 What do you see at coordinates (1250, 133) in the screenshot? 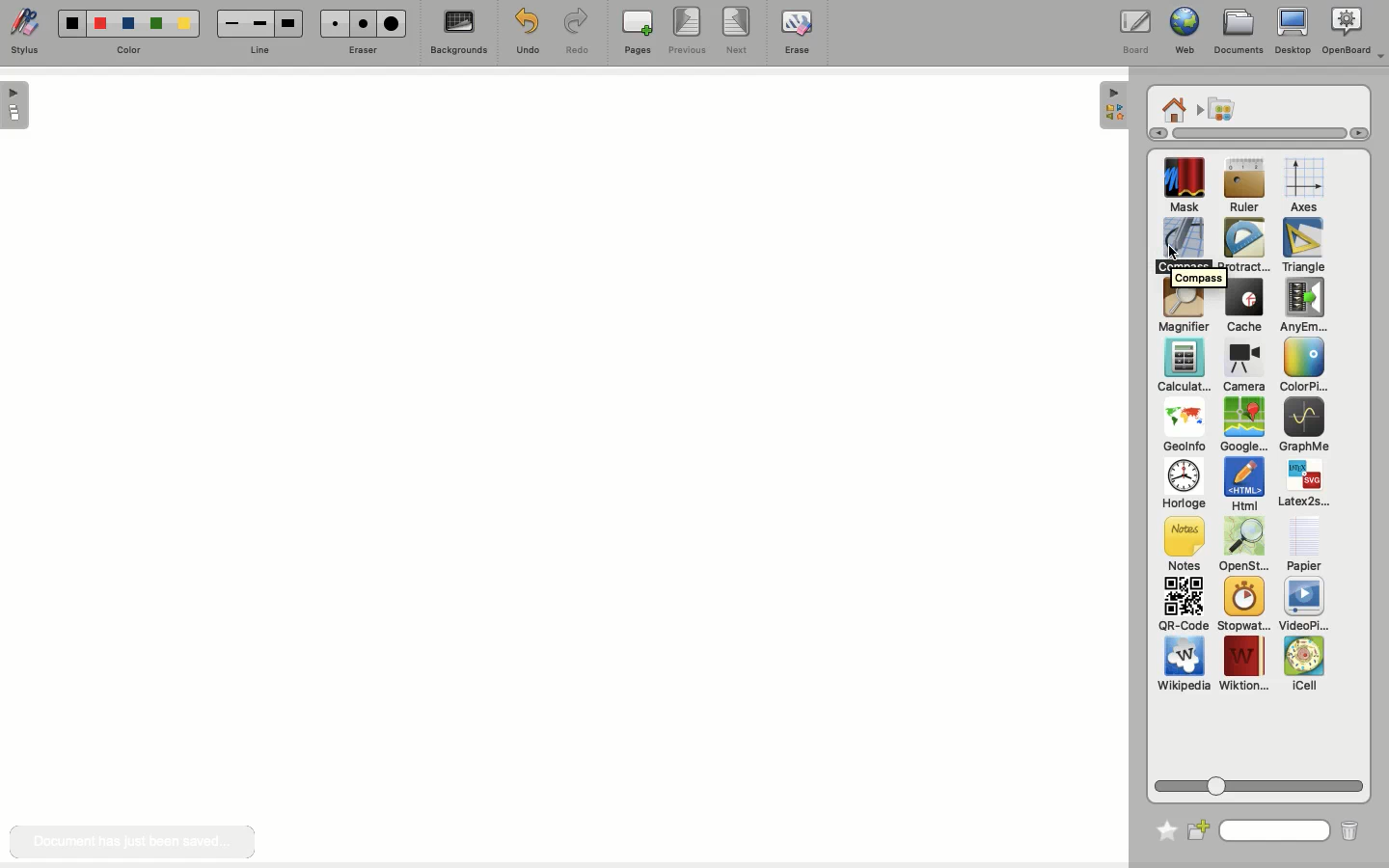
I see `Scroll` at bounding box center [1250, 133].